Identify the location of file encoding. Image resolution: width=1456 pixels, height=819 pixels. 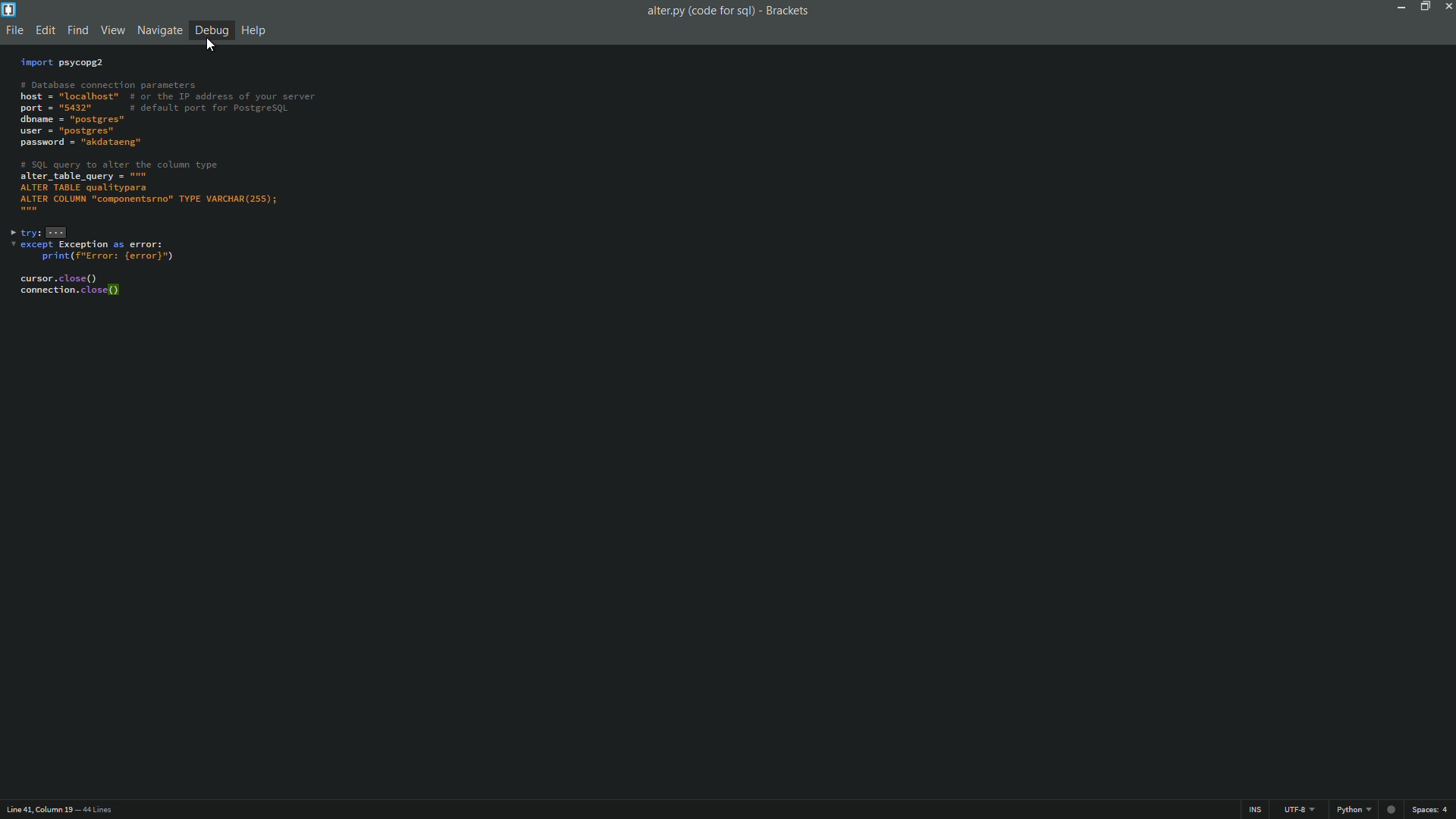
(1300, 811).